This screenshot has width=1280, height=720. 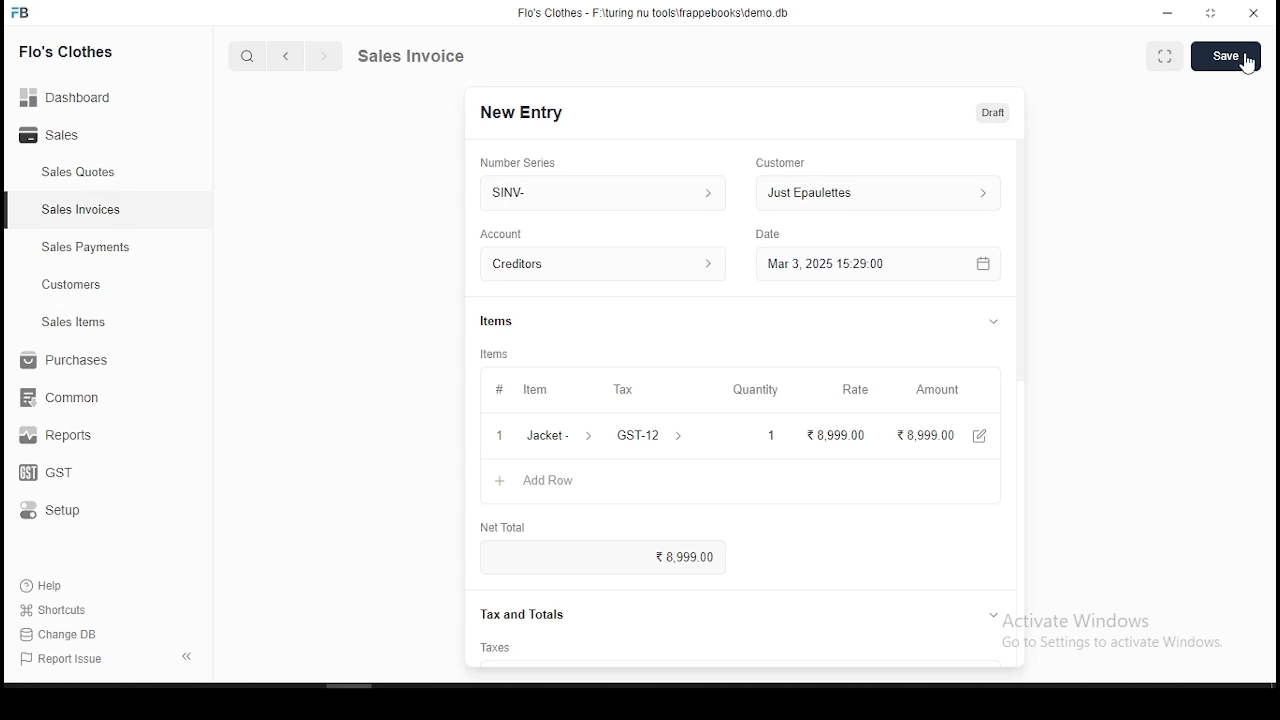 I want to click on expand, so click(x=984, y=324).